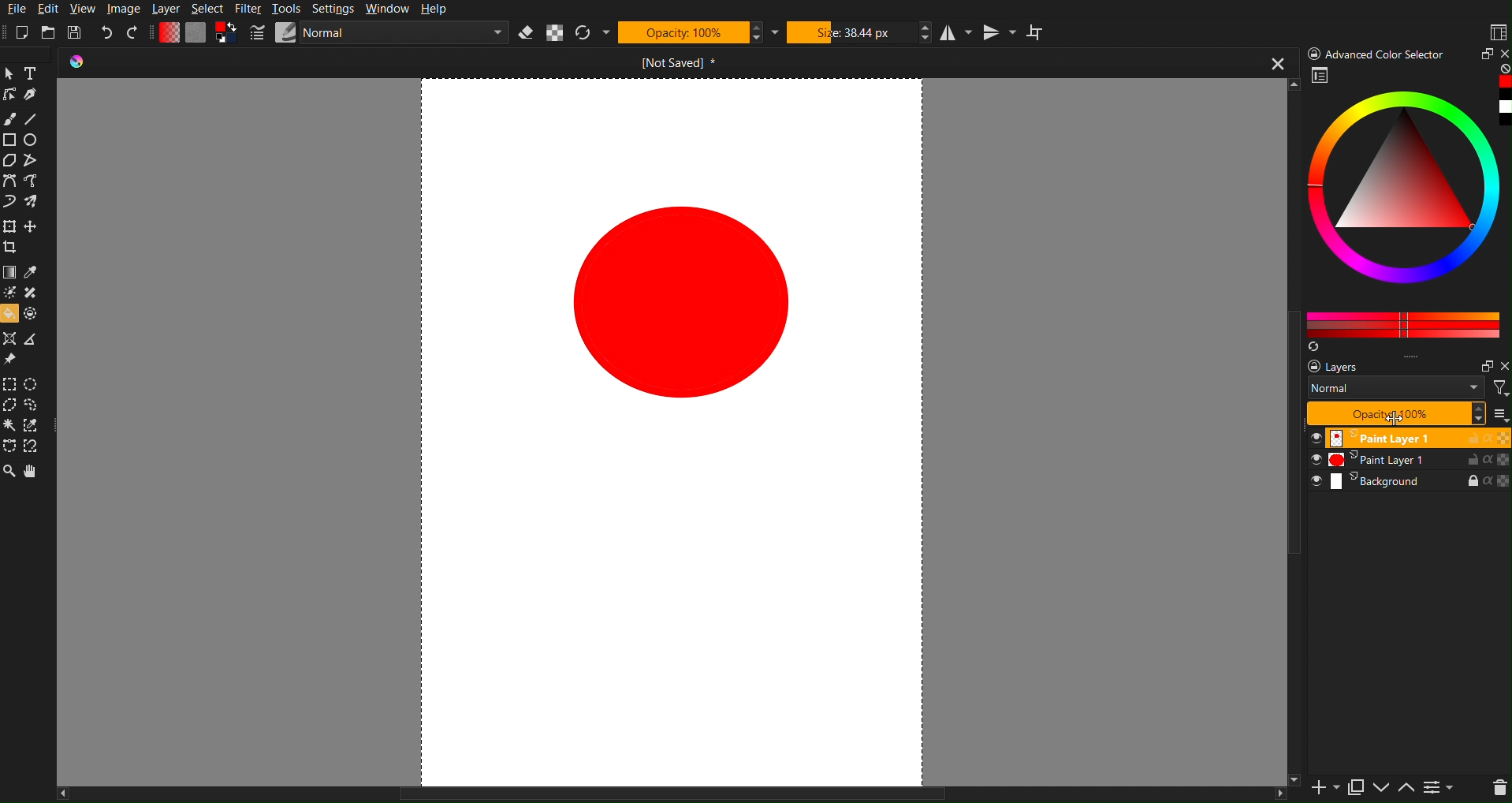 Image resolution: width=1512 pixels, height=803 pixels. I want to click on Gradient, so click(168, 33).